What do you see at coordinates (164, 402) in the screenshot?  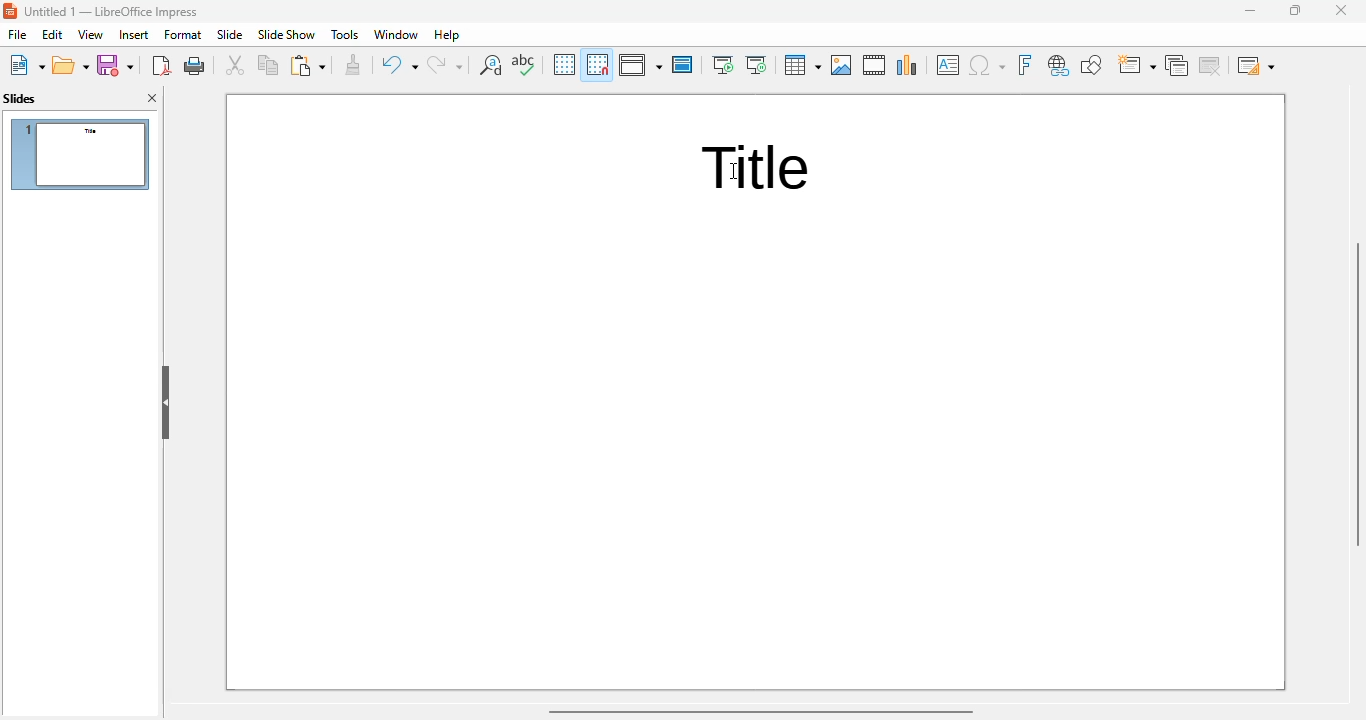 I see `hide` at bounding box center [164, 402].